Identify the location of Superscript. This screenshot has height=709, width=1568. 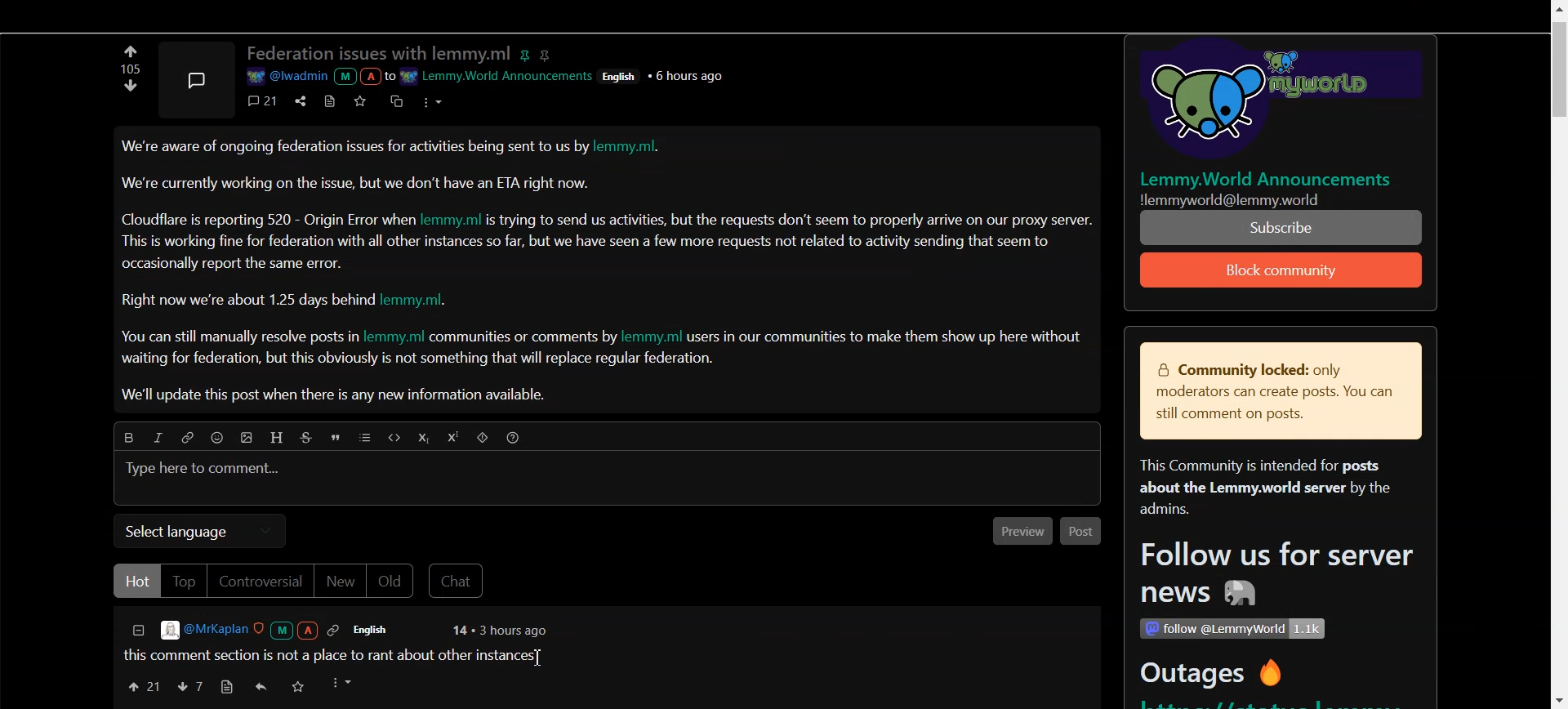
(456, 438).